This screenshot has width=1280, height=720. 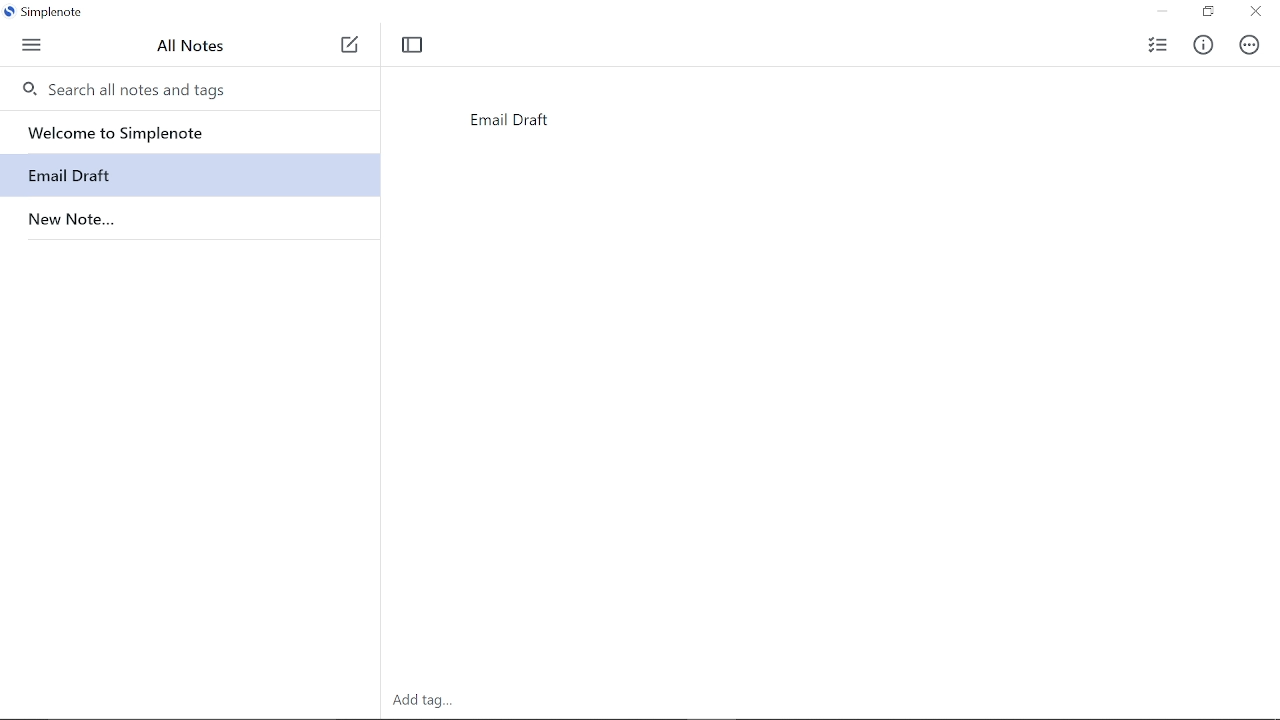 I want to click on Current window, so click(x=47, y=13).